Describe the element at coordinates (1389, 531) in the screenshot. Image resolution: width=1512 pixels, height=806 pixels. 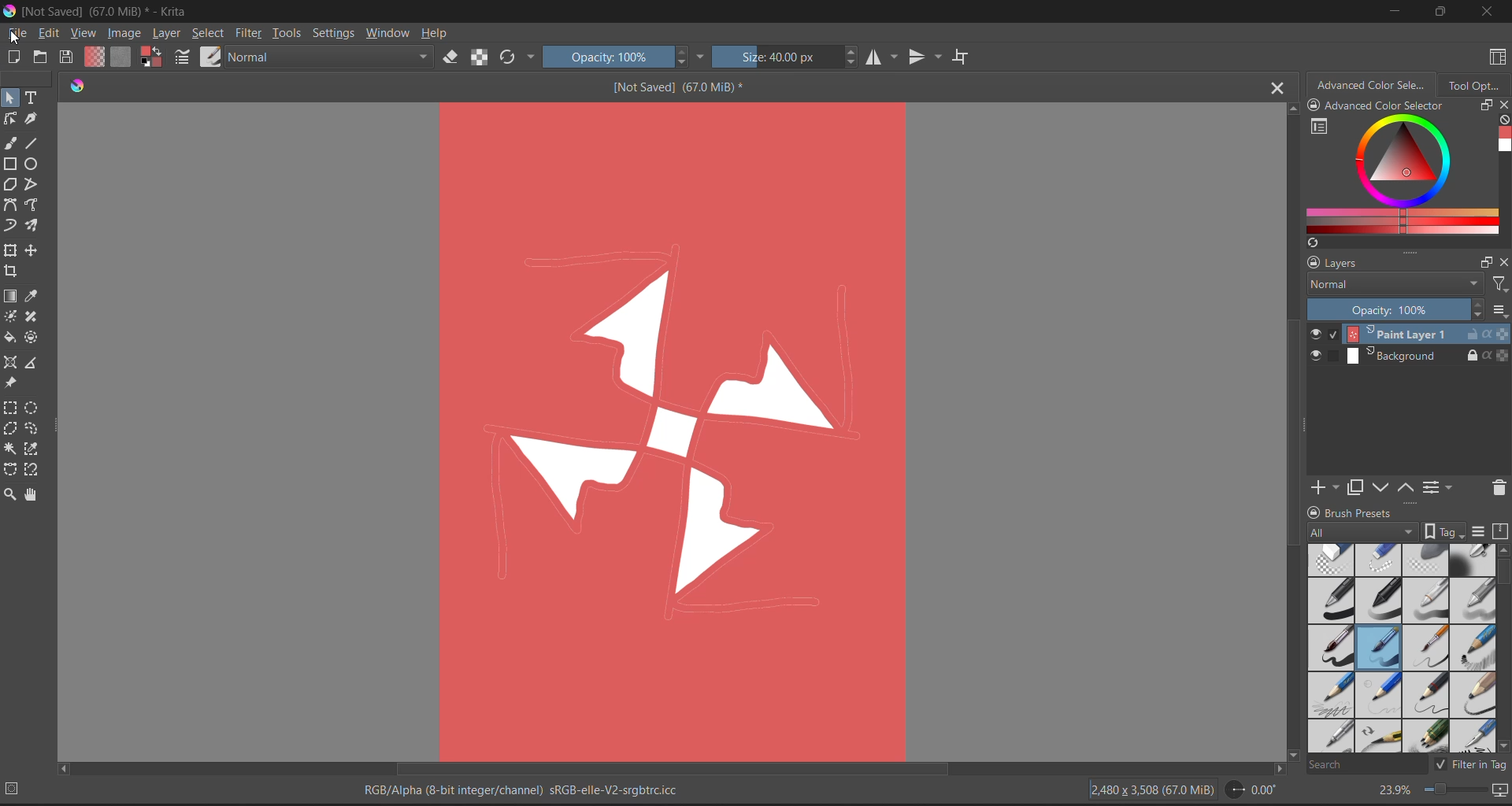
I see `tag` at that location.